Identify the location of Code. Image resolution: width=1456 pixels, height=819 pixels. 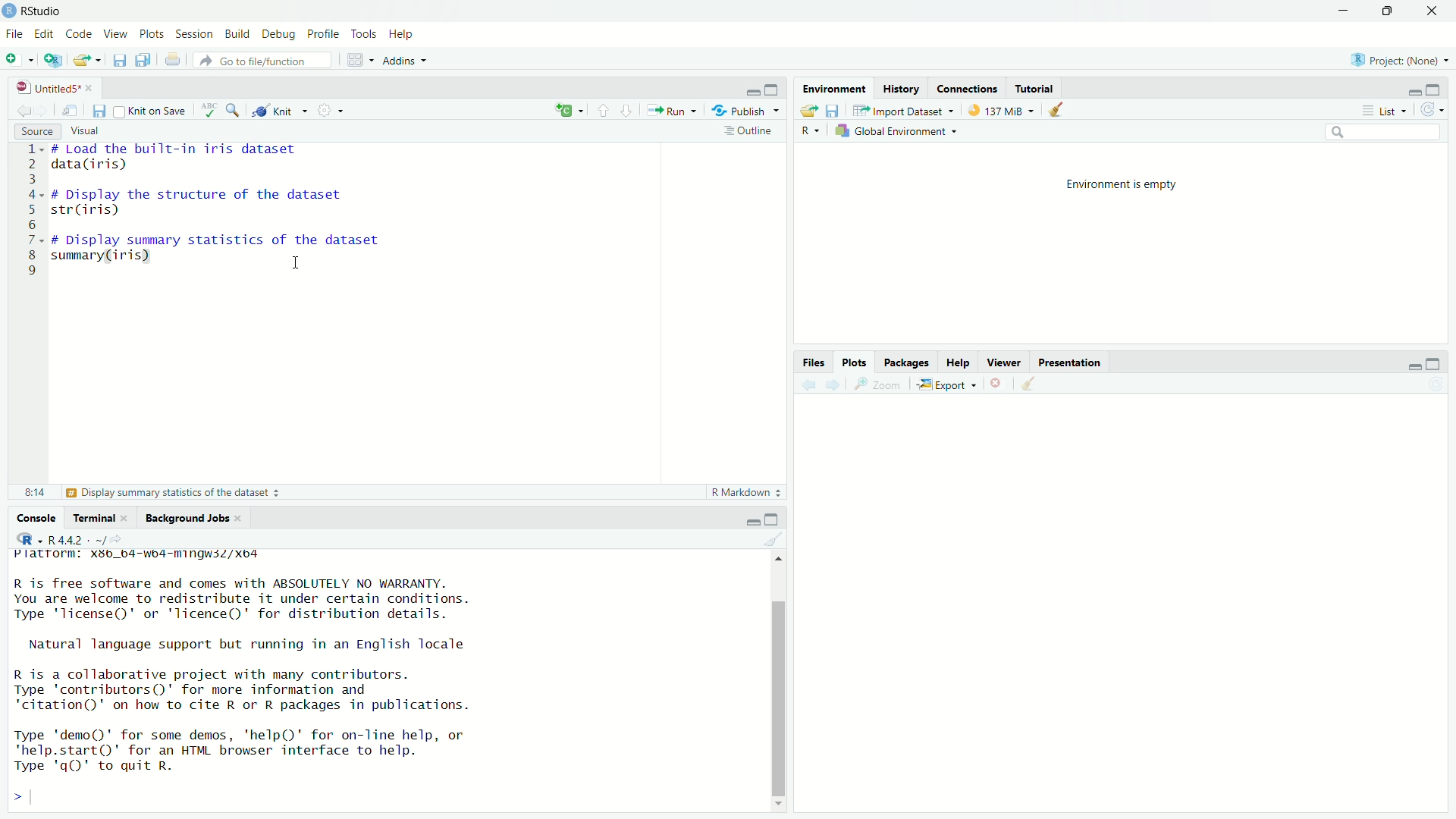
(78, 34).